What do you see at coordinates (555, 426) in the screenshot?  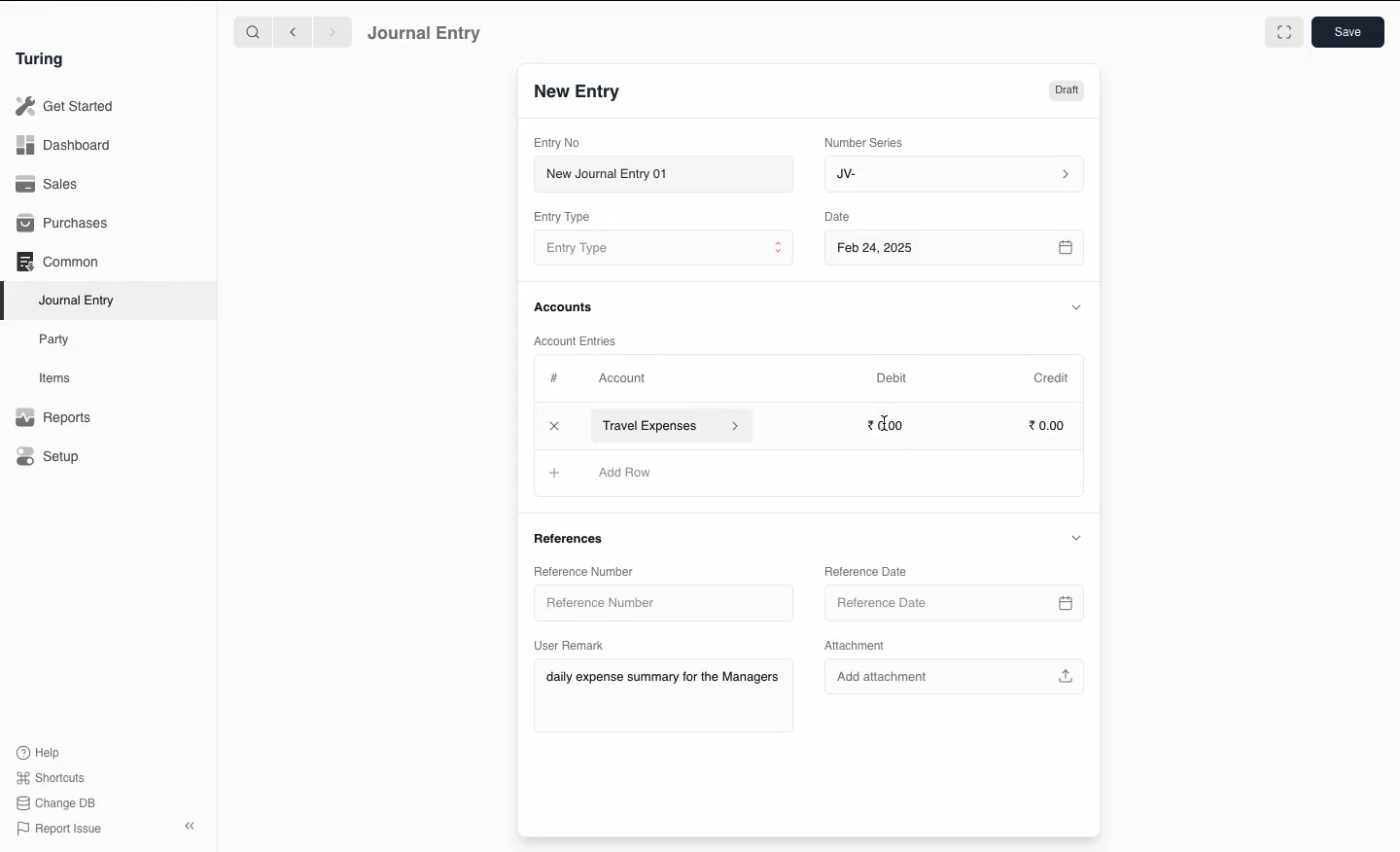 I see `Add` at bounding box center [555, 426].